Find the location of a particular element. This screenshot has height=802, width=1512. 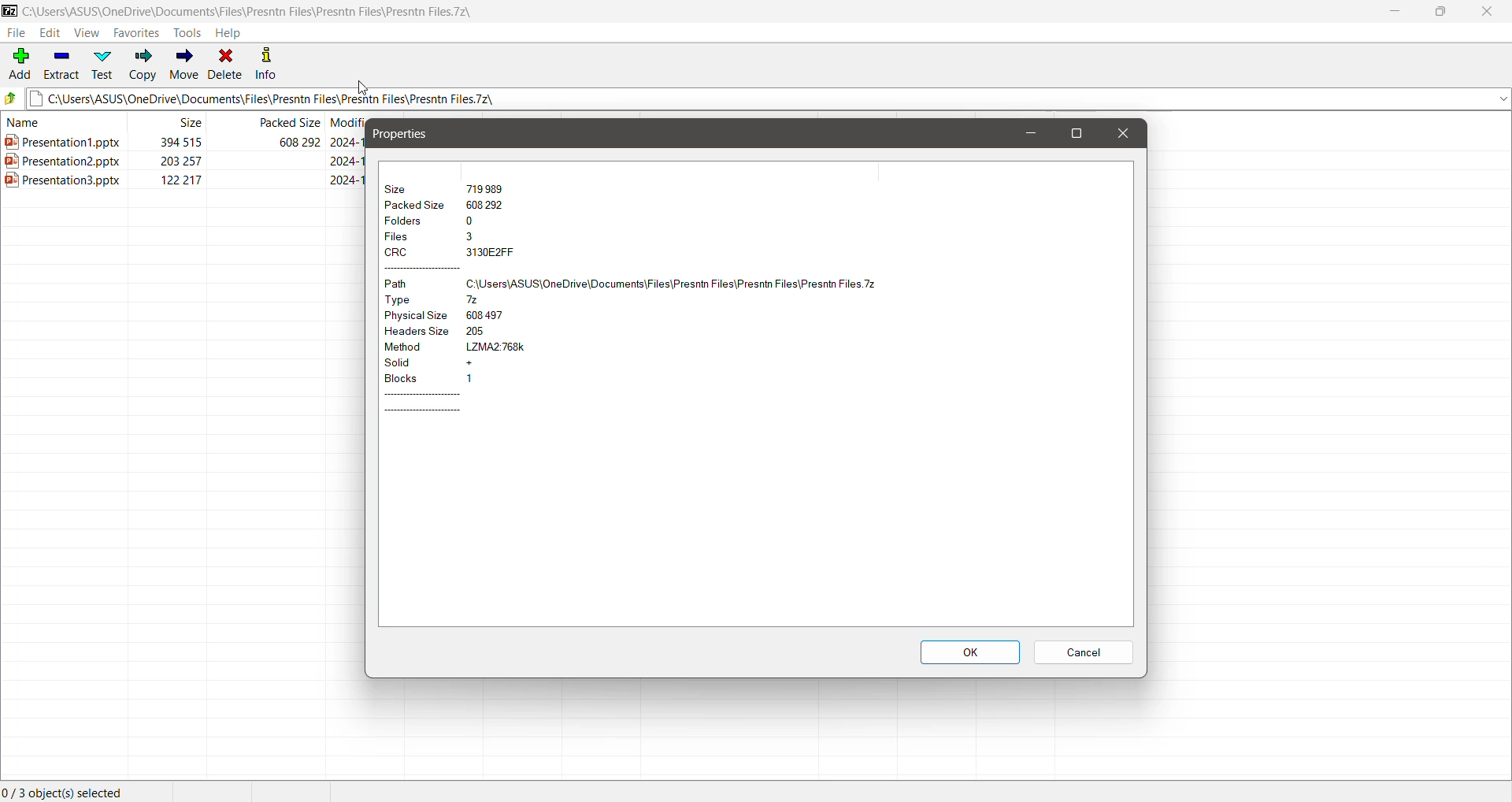

Minimize is located at coordinates (1395, 10).